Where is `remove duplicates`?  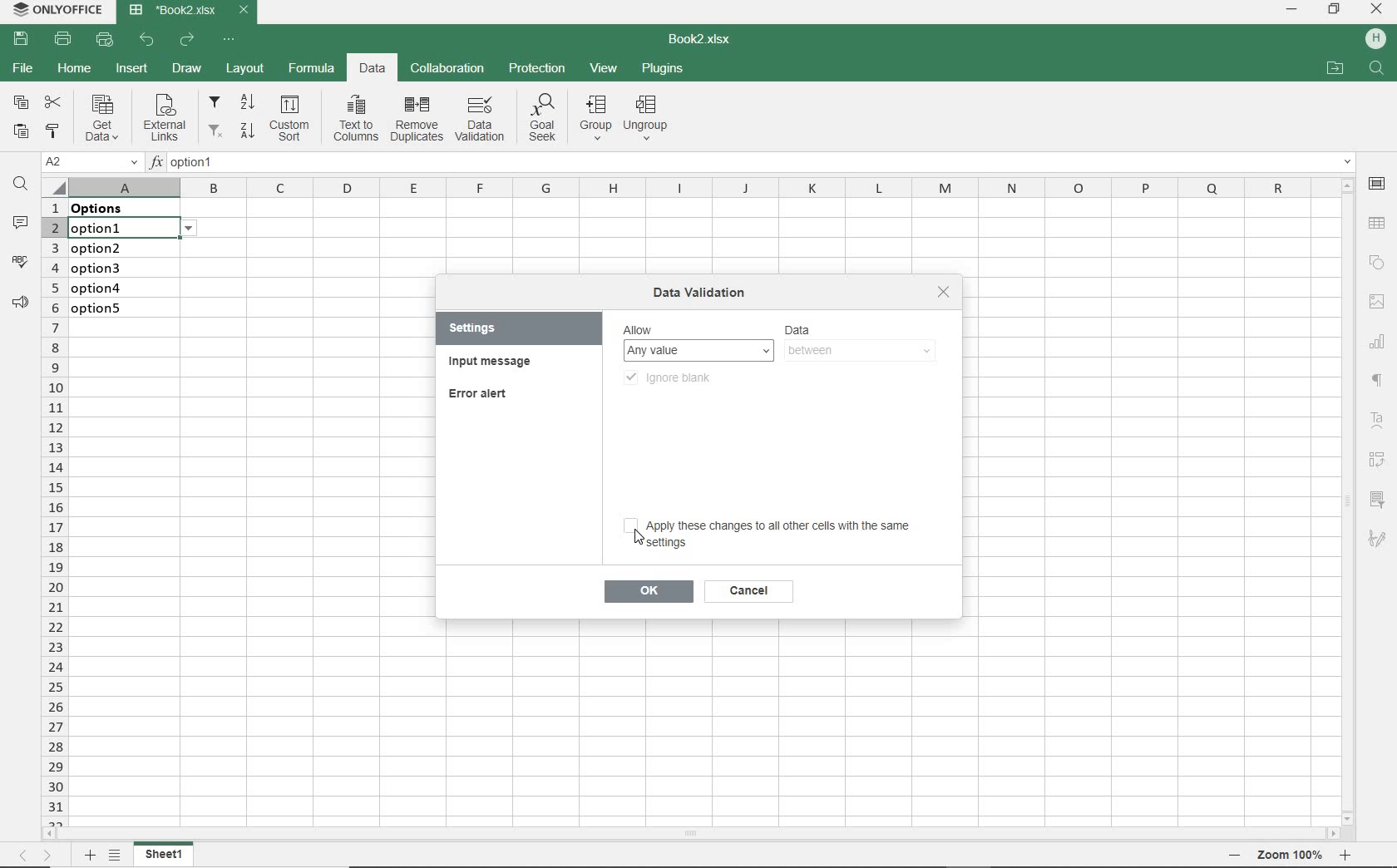 remove duplicates is located at coordinates (417, 120).